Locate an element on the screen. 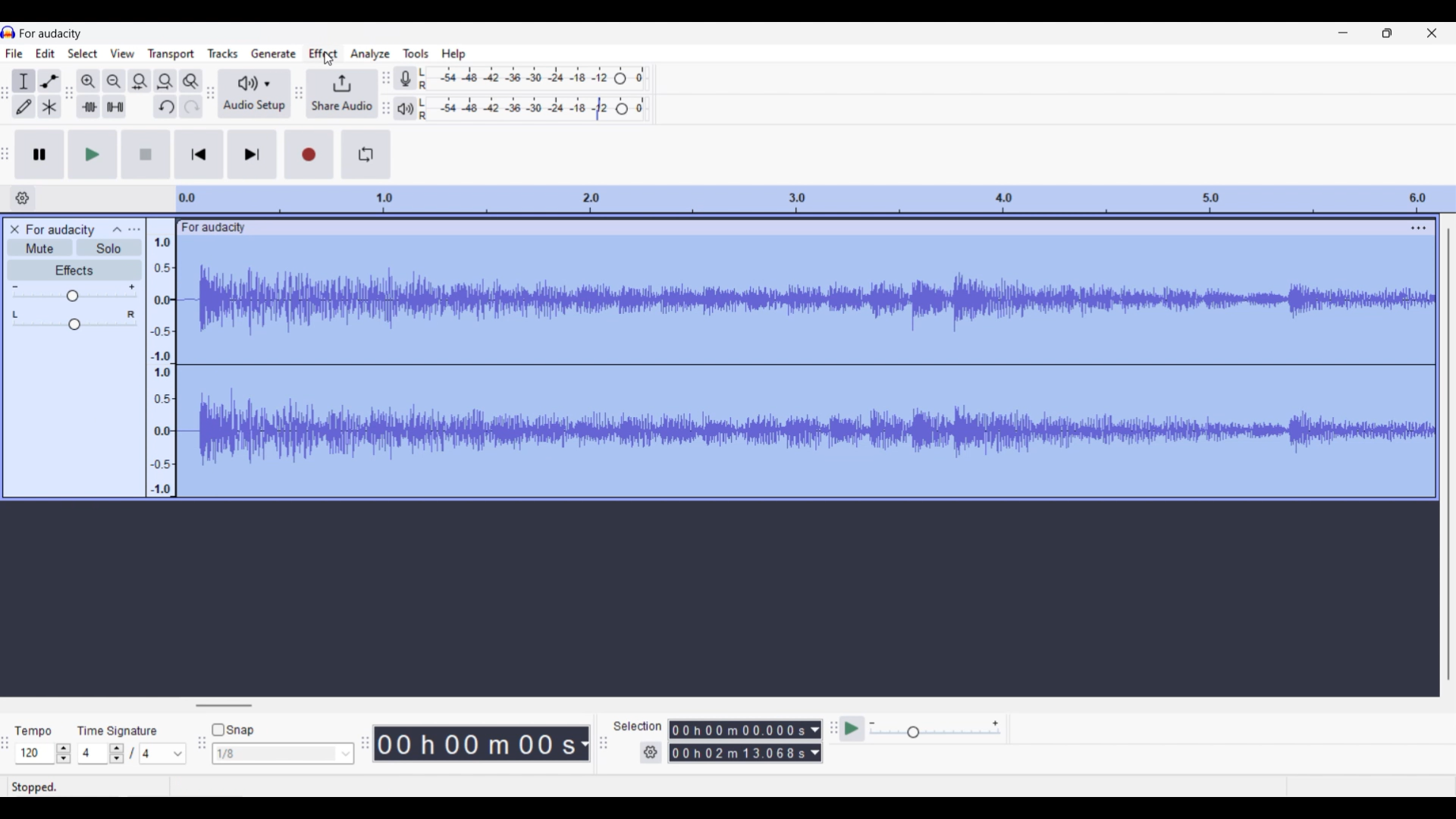  00 k 00 m 00 s is located at coordinates (475, 743).